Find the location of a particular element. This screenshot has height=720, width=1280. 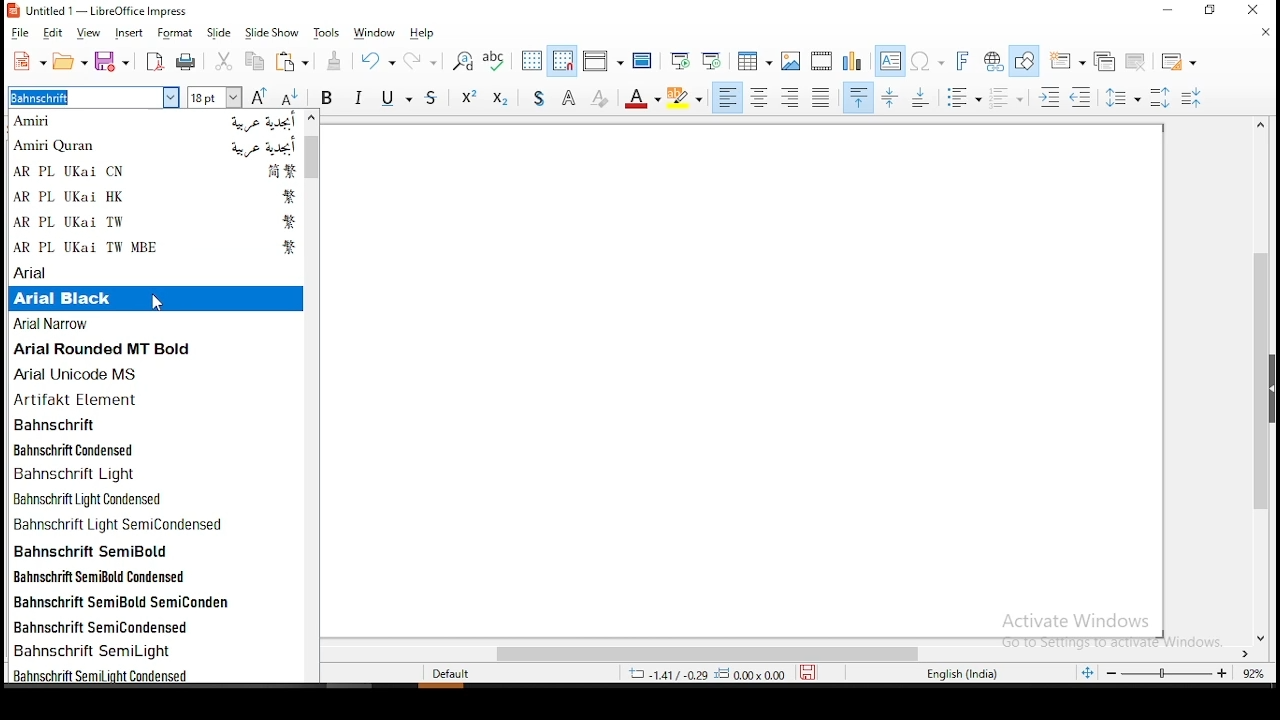

copy is located at coordinates (255, 63).